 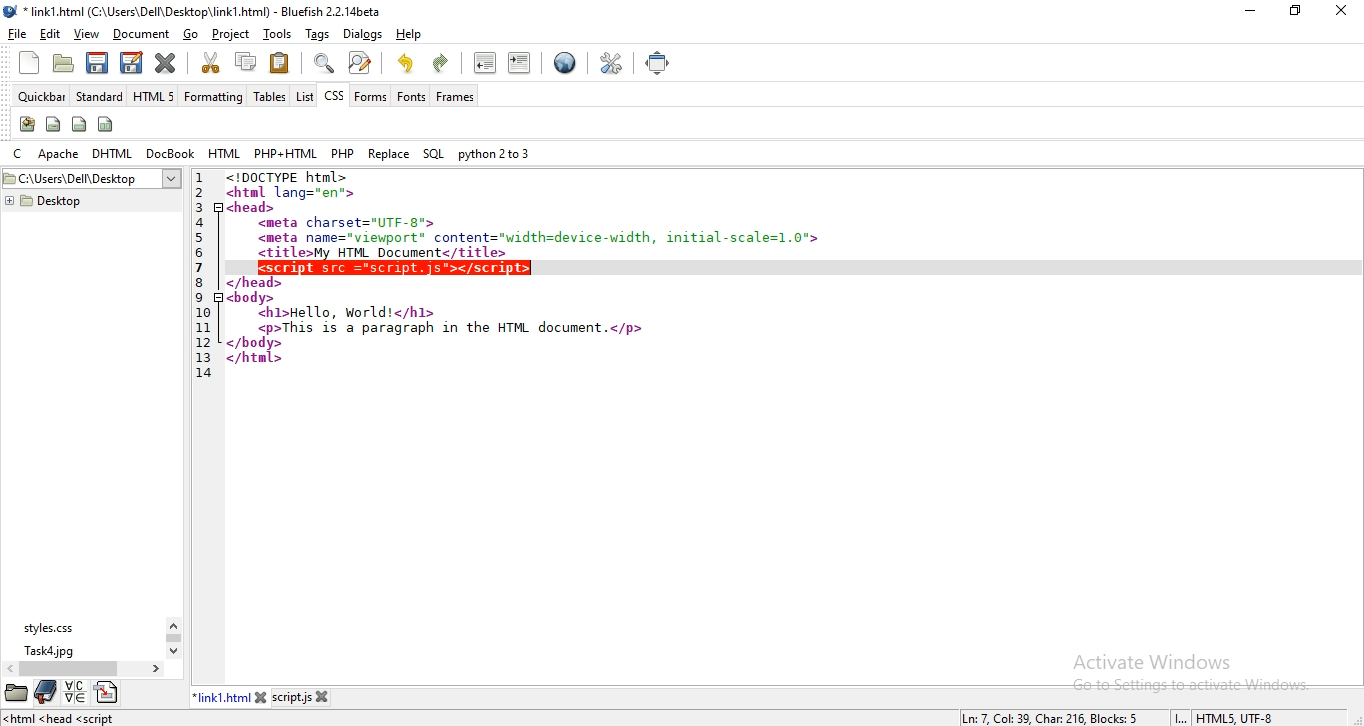 I want to click on replace, so click(x=389, y=153).